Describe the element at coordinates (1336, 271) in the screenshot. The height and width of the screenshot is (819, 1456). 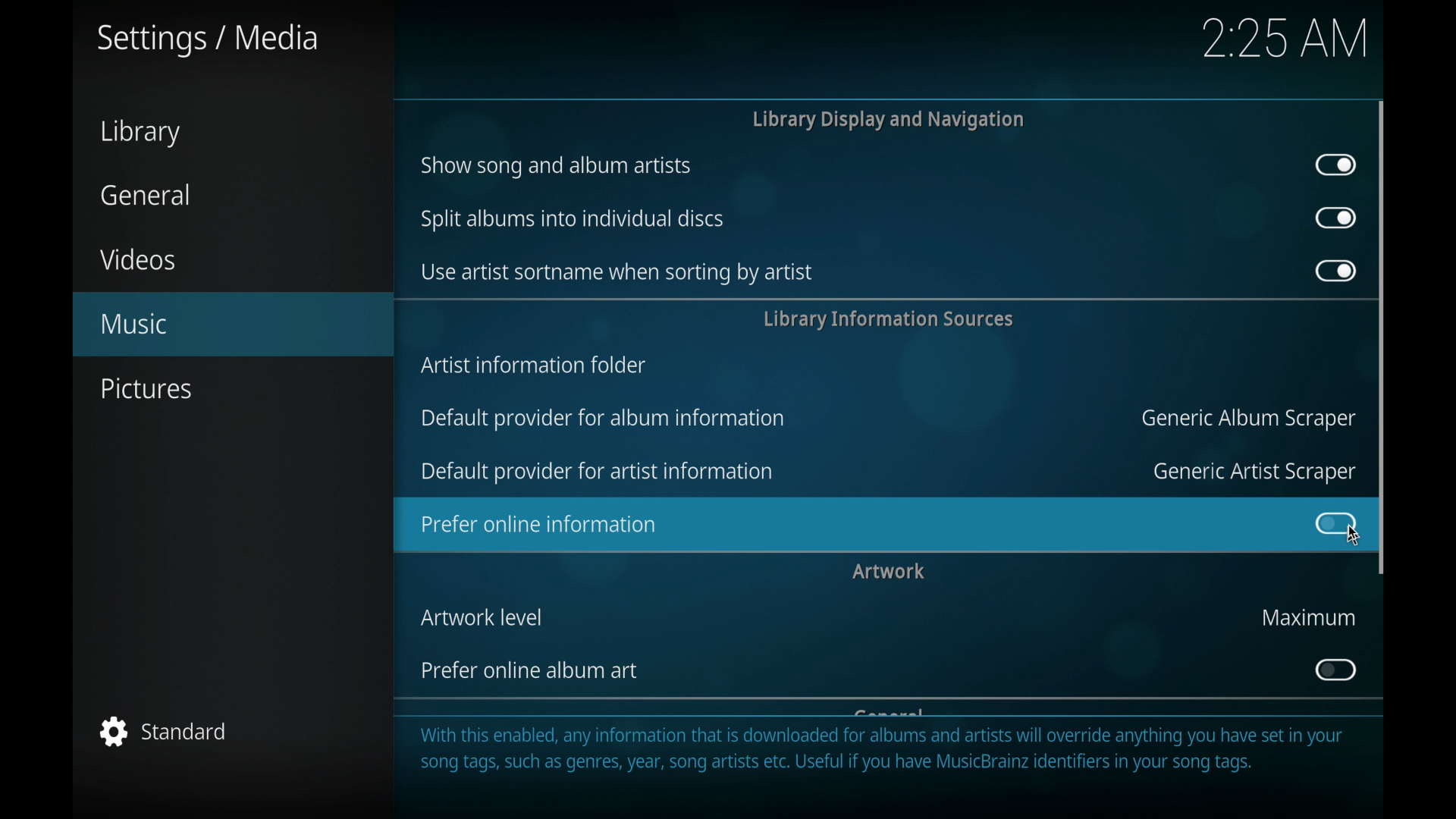
I see `toggle button` at that location.